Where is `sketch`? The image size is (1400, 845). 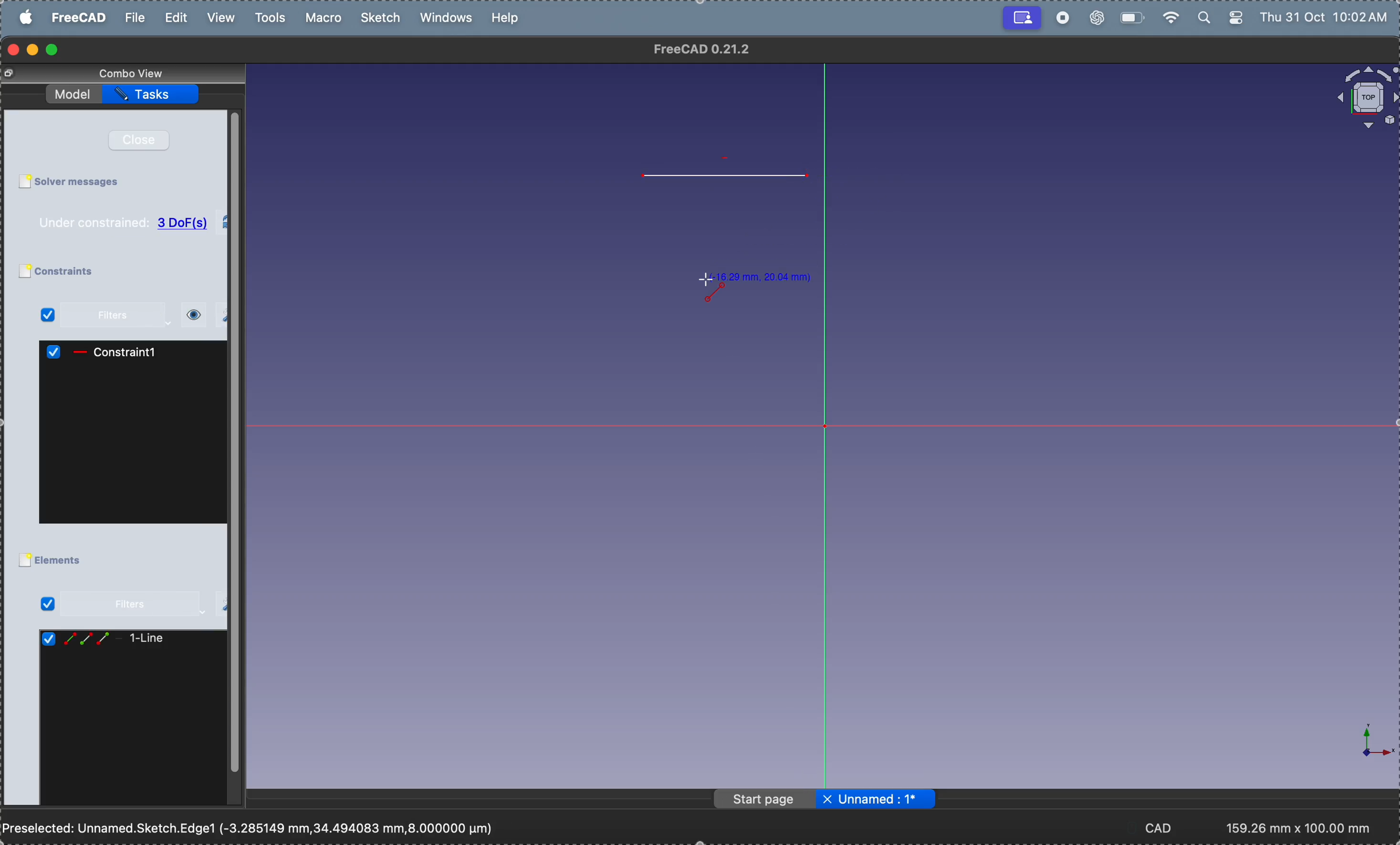 sketch is located at coordinates (383, 18).